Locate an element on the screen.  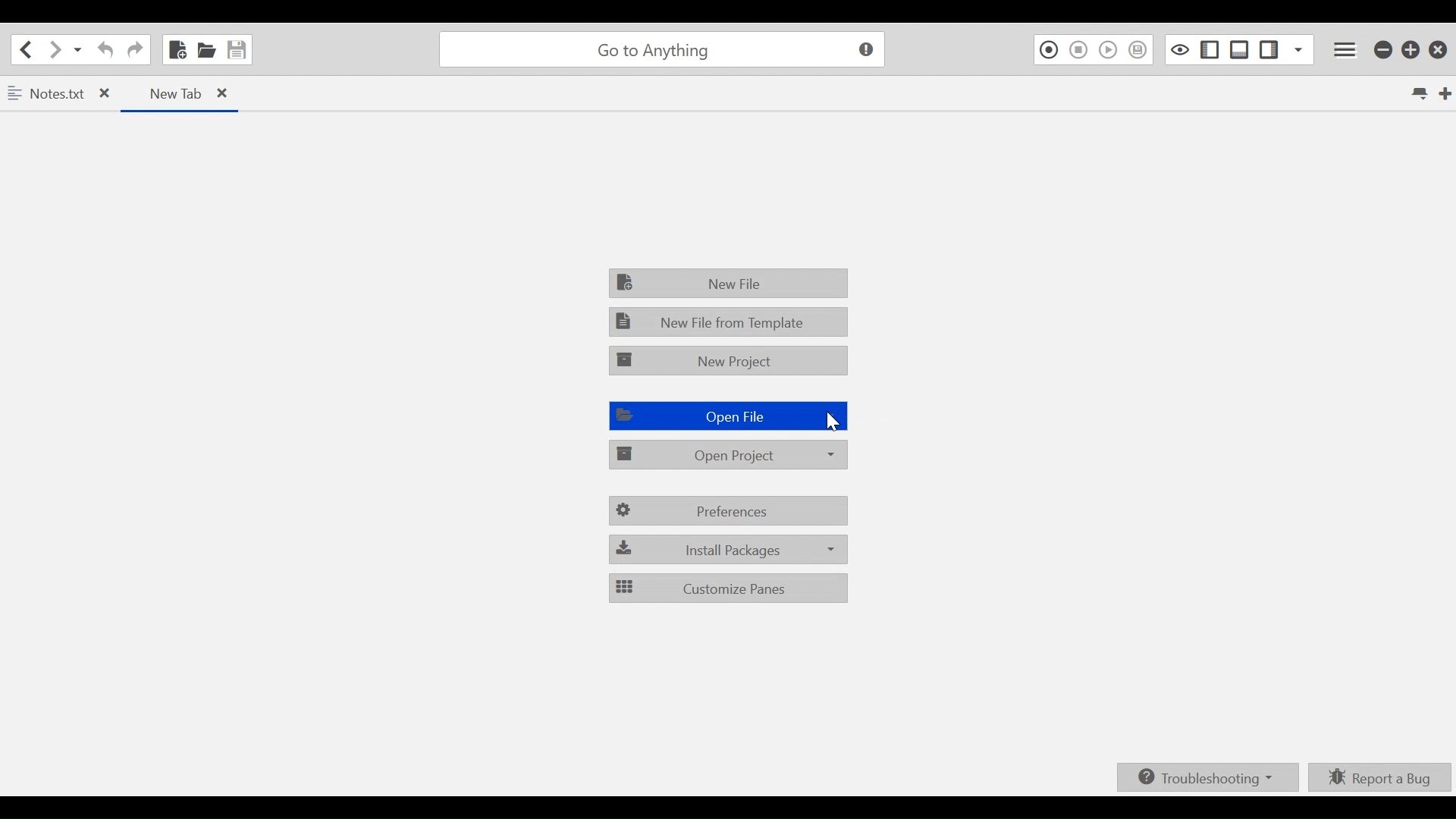
New File is located at coordinates (729, 283).